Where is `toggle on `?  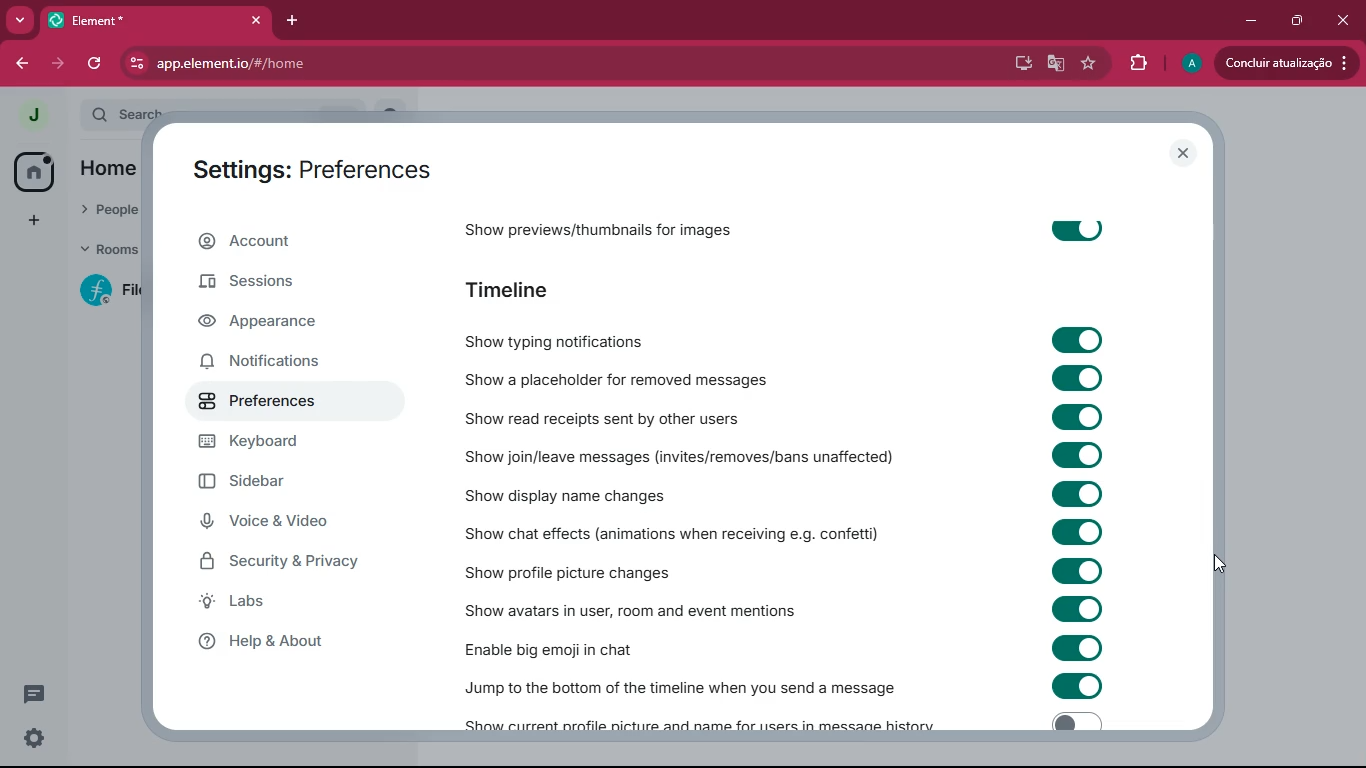
toggle on  is located at coordinates (1079, 381).